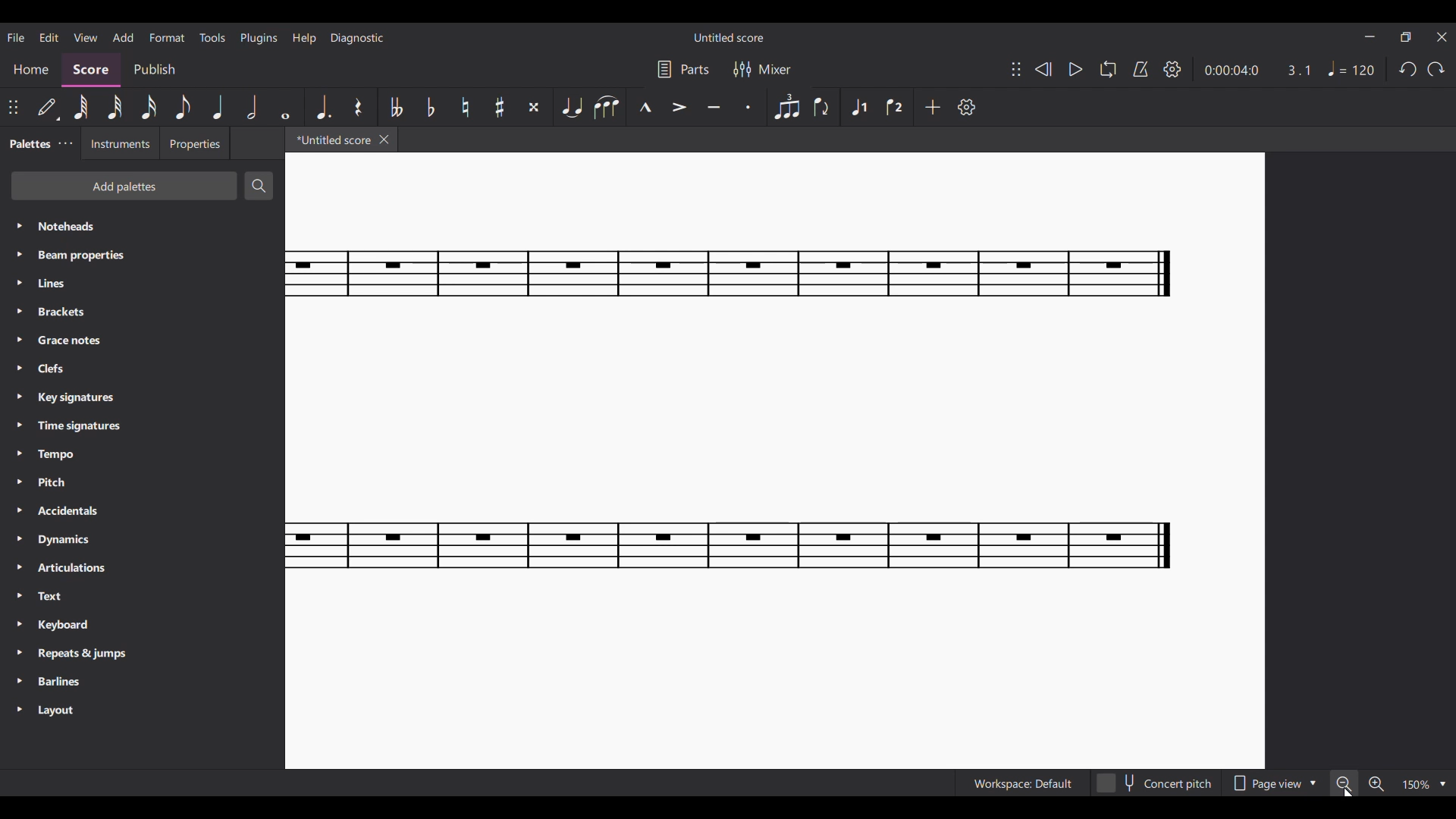 Image resolution: width=1456 pixels, height=819 pixels. Describe the element at coordinates (65, 143) in the screenshot. I see `Palette settings` at that location.